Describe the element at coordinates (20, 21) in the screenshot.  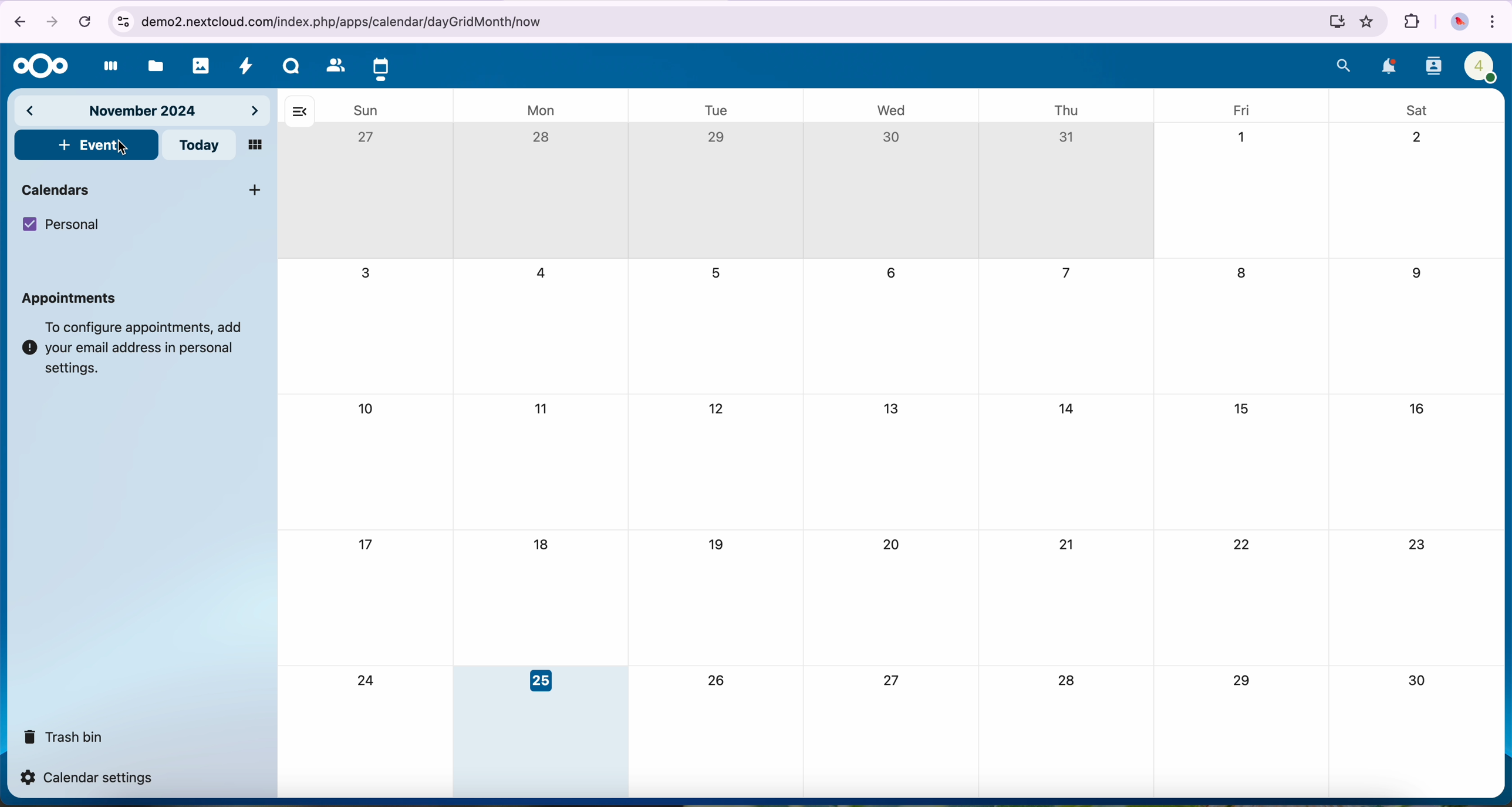
I see `navigate back` at that location.